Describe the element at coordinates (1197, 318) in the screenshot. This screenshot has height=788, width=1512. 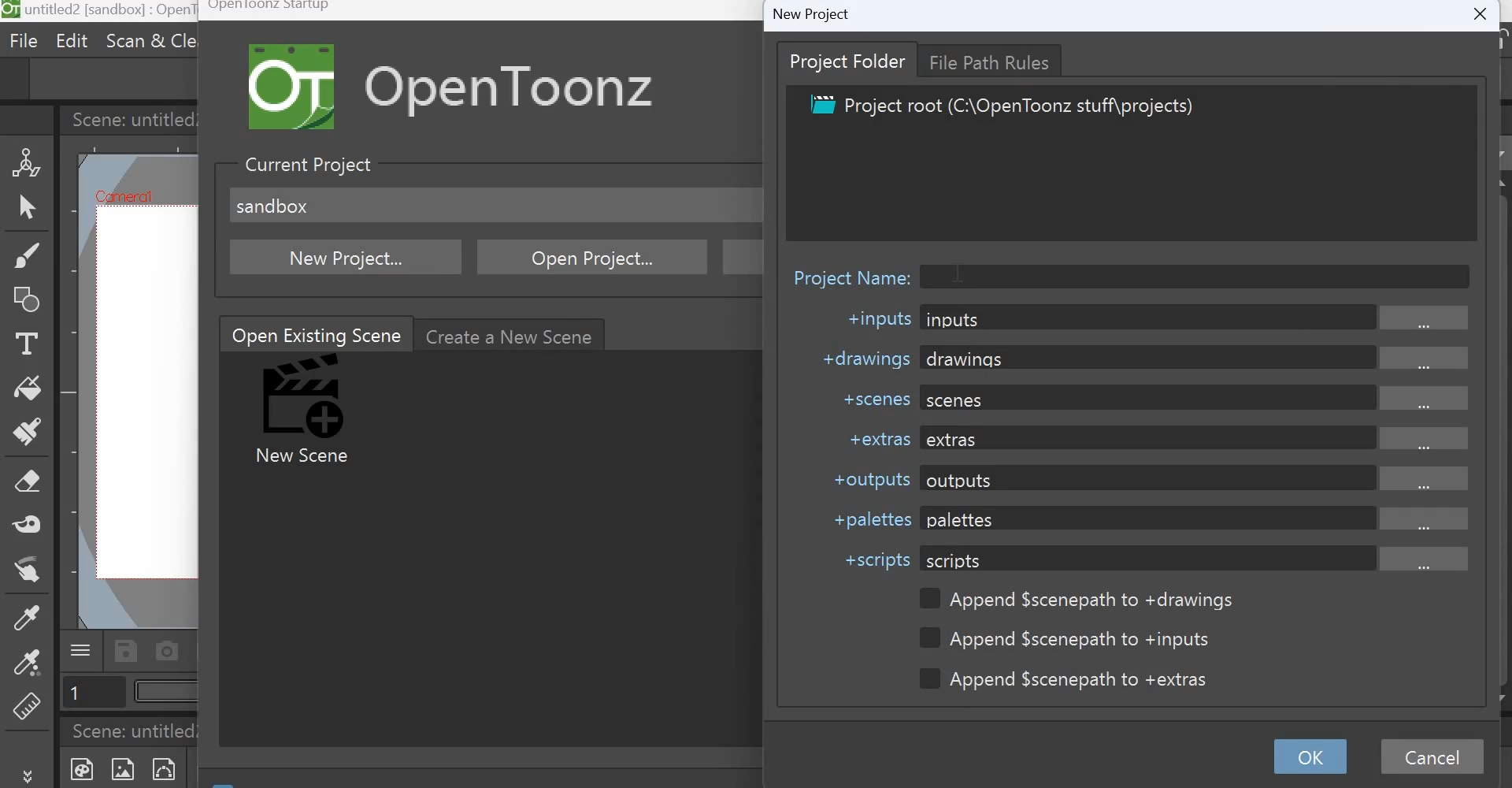
I see `inputs` at that location.